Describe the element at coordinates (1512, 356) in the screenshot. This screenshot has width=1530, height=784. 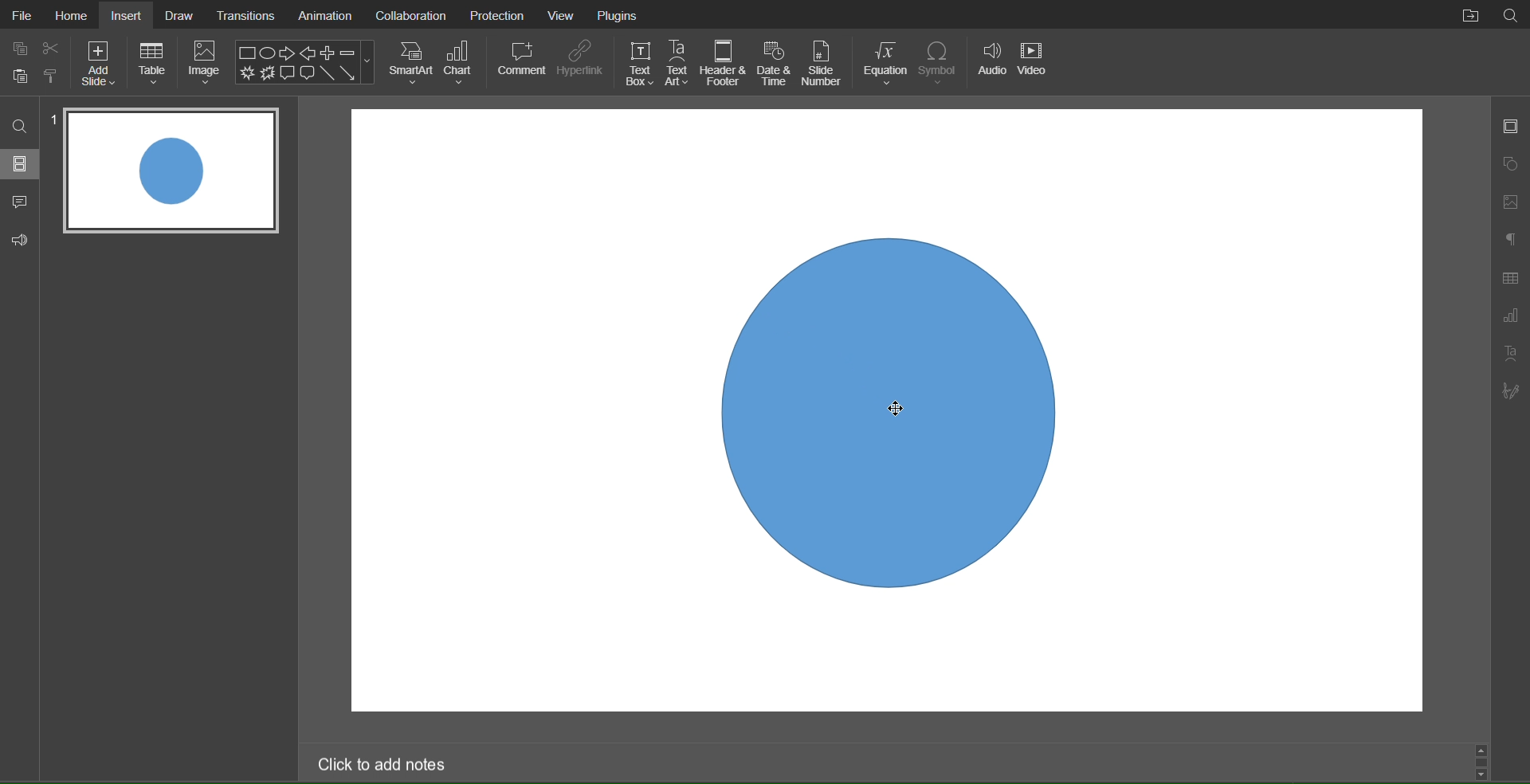
I see `Text Art` at that location.